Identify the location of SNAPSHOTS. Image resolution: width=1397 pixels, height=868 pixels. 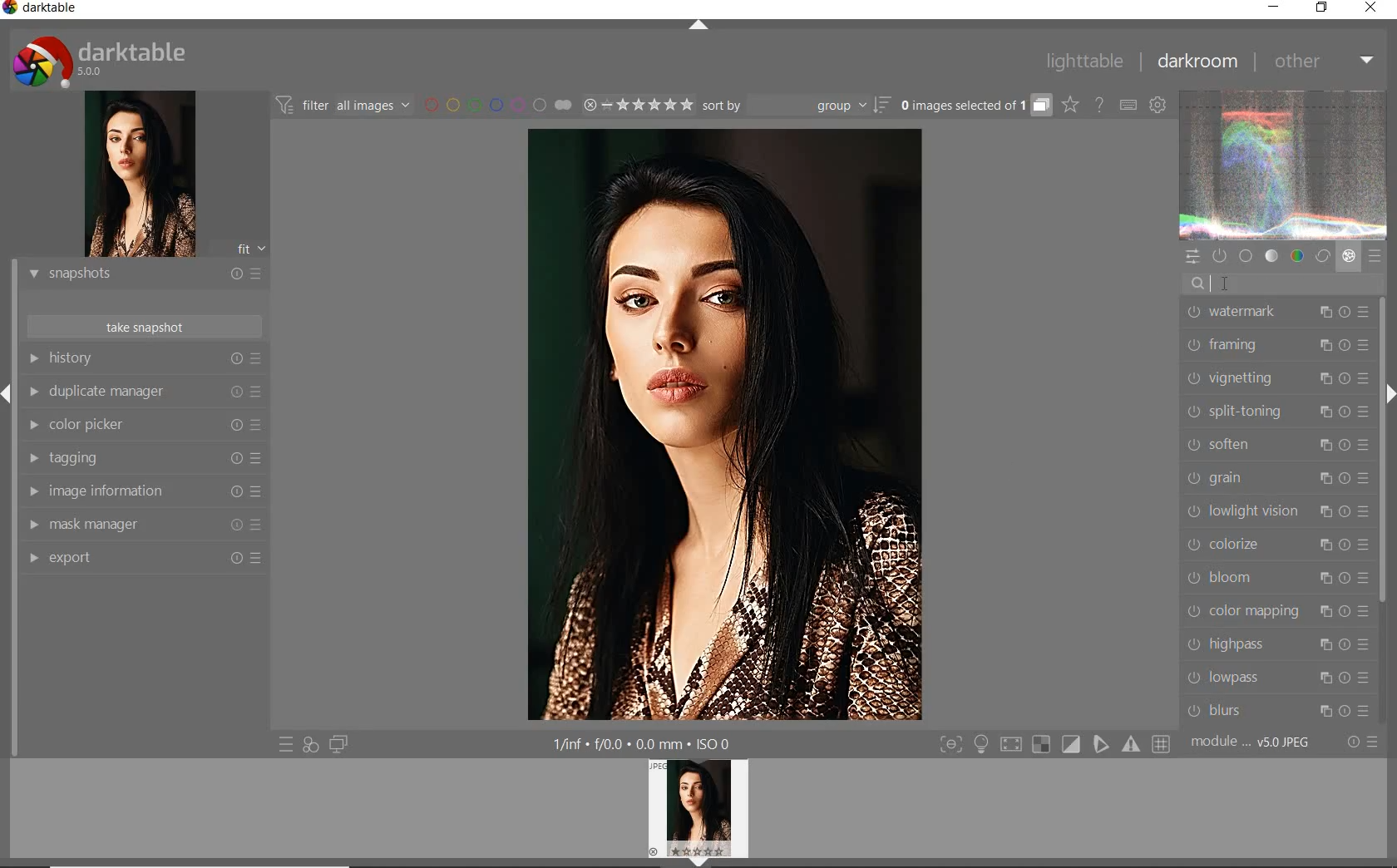
(141, 275).